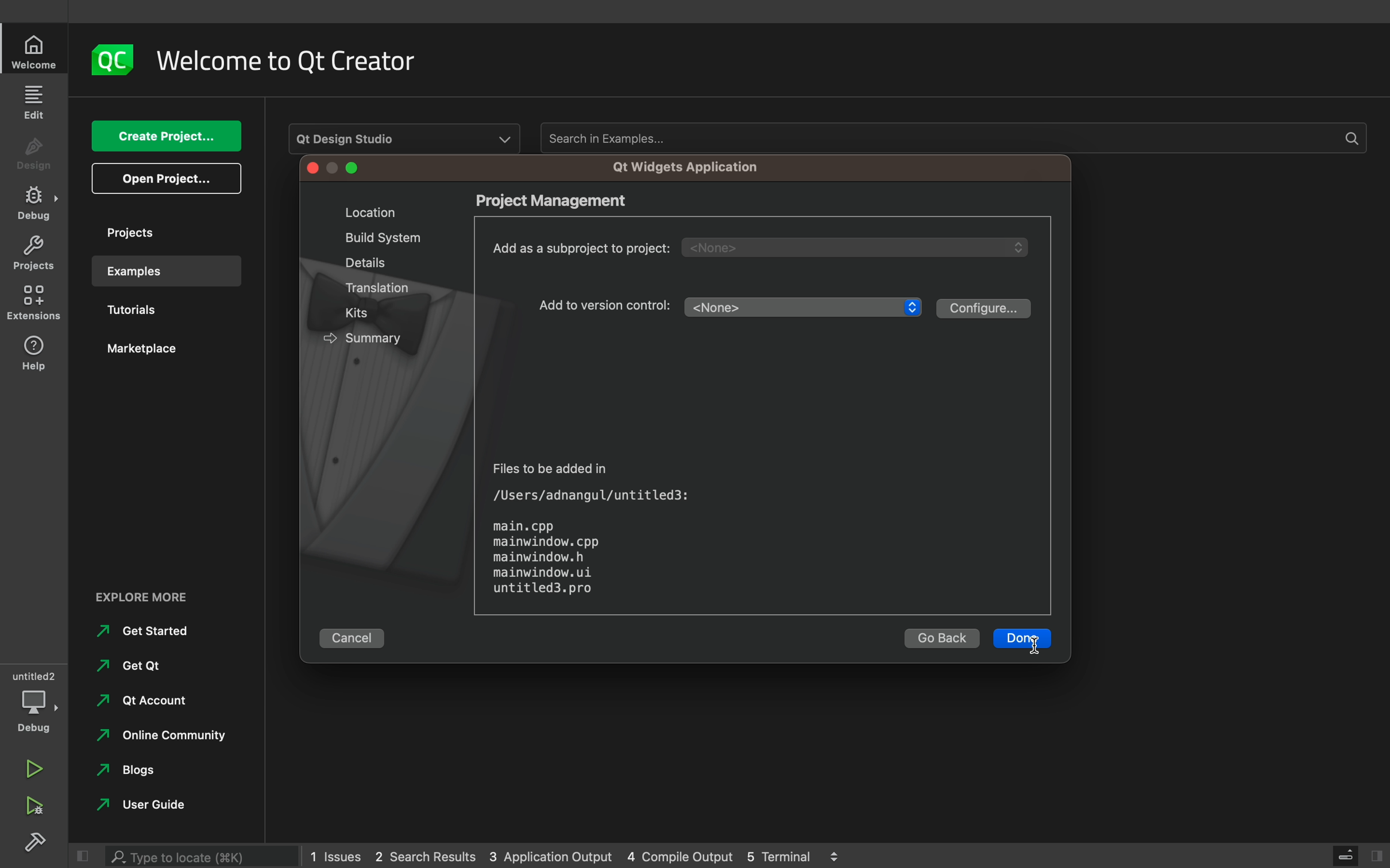 Image resolution: width=1390 pixels, height=868 pixels. I want to click on start, so click(1021, 639).